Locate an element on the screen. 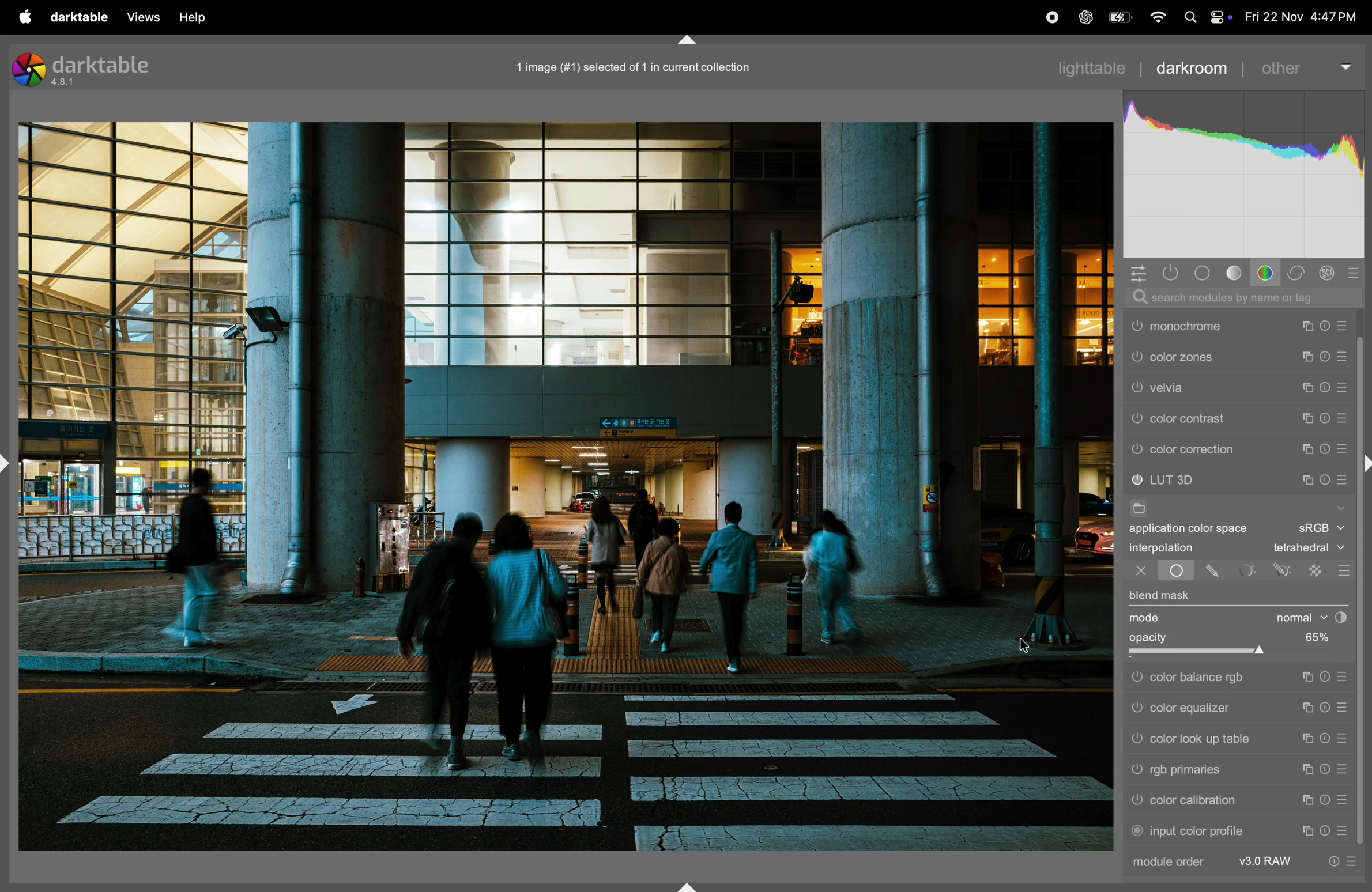 The image size is (1372, 892). color correction is located at coordinates (1220, 449).